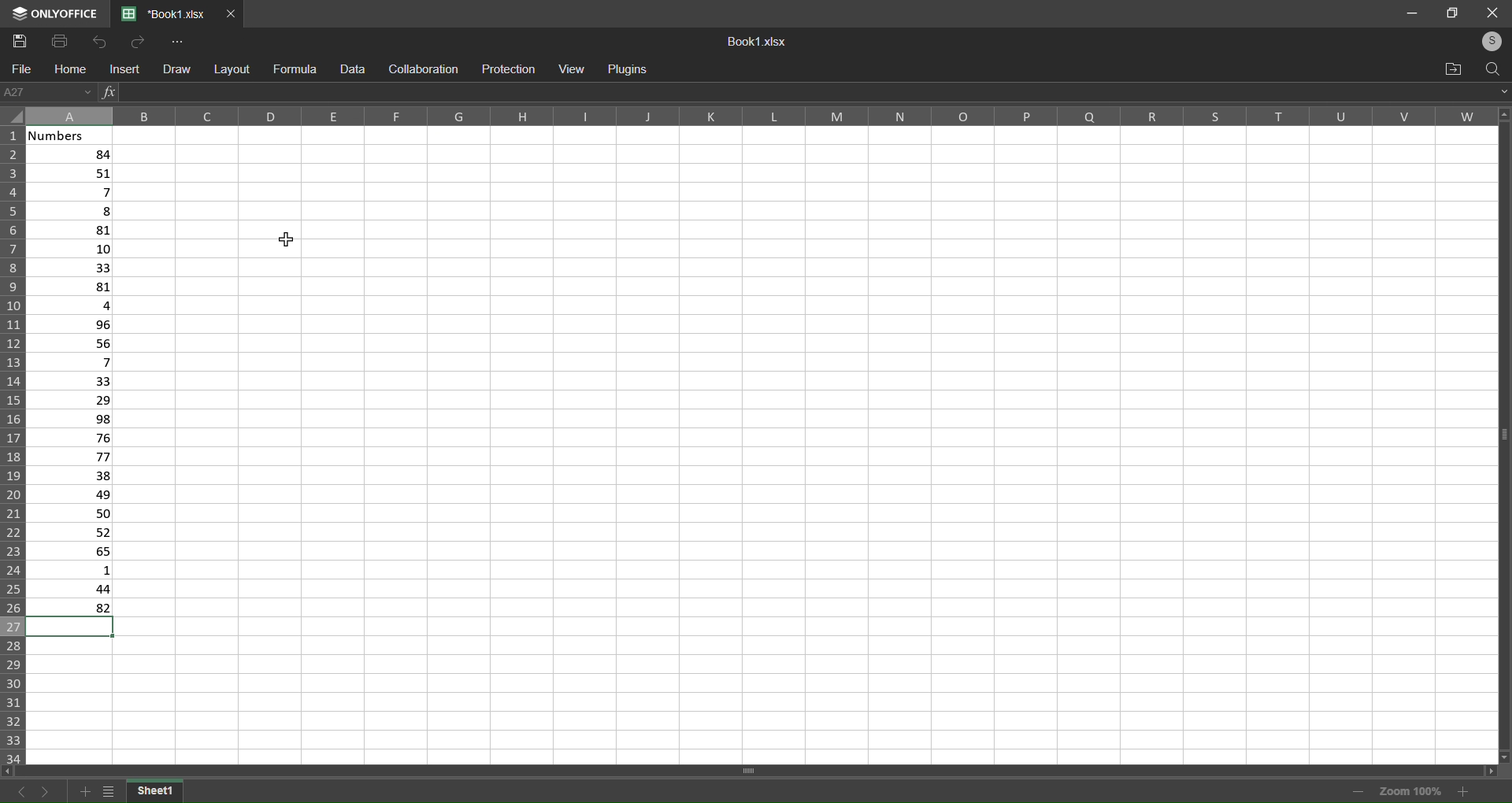  I want to click on move down, so click(1502, 755).